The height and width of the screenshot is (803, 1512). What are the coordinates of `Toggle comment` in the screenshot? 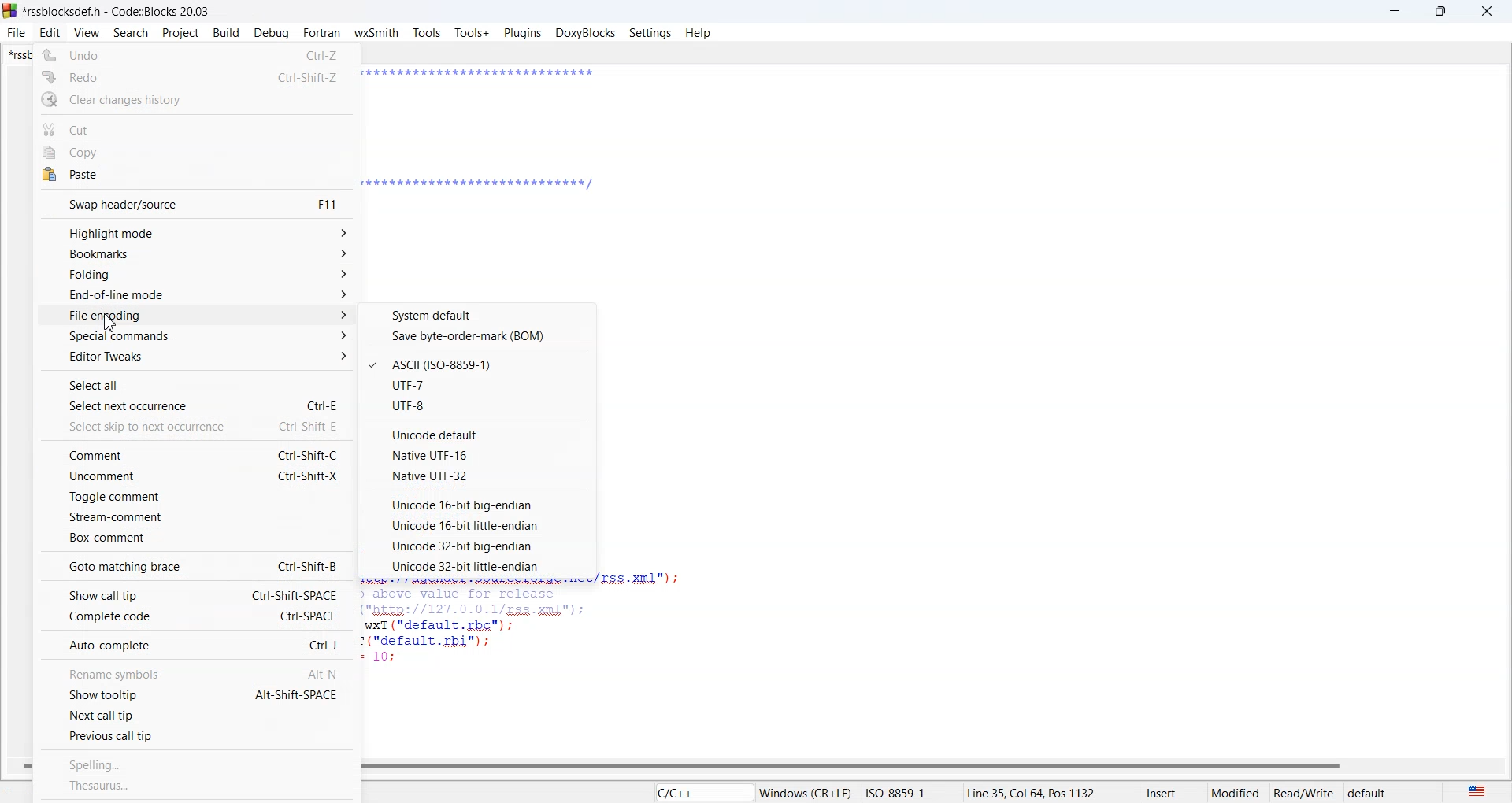 It's located at (195, 497).